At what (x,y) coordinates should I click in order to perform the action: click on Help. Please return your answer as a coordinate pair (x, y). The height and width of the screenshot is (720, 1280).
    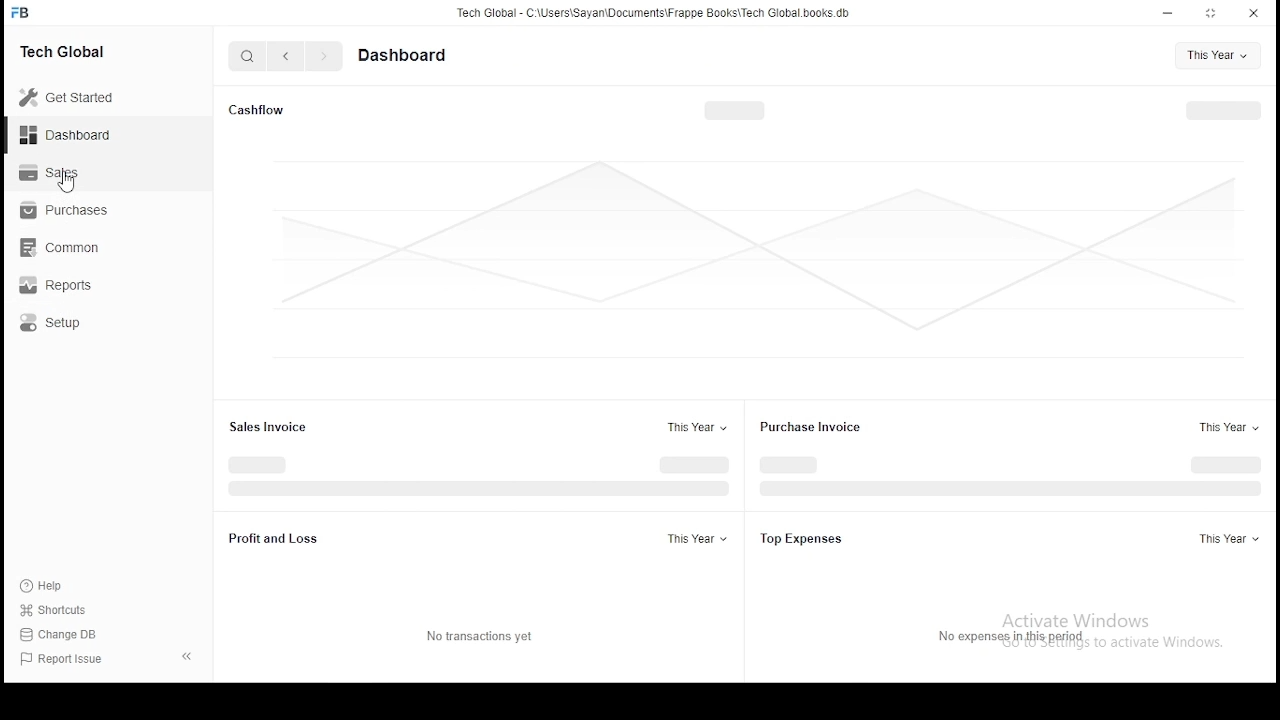
    Looking at the image, I should click on (44, 589).